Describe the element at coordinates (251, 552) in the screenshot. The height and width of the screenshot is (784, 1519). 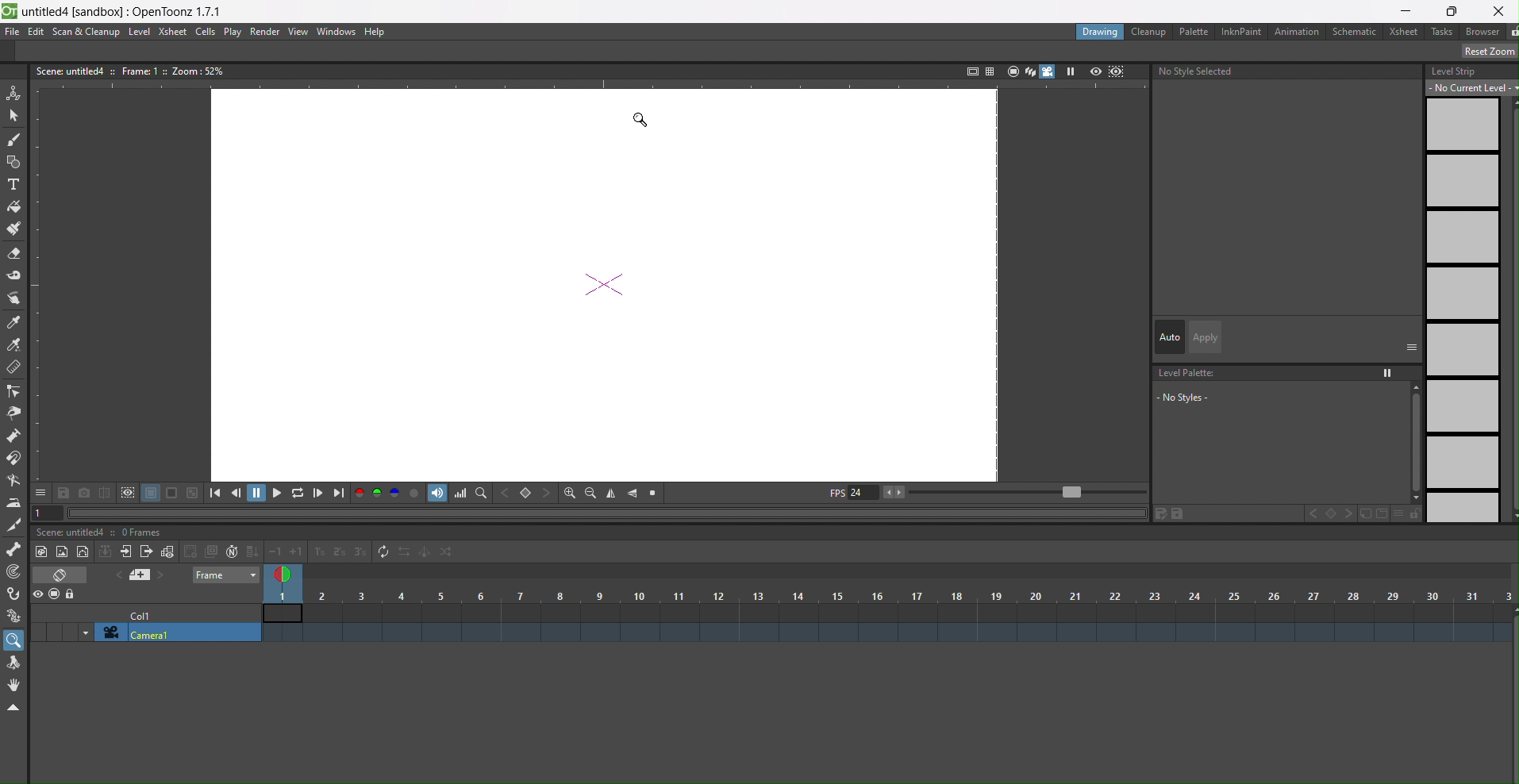
I see `` at that location.